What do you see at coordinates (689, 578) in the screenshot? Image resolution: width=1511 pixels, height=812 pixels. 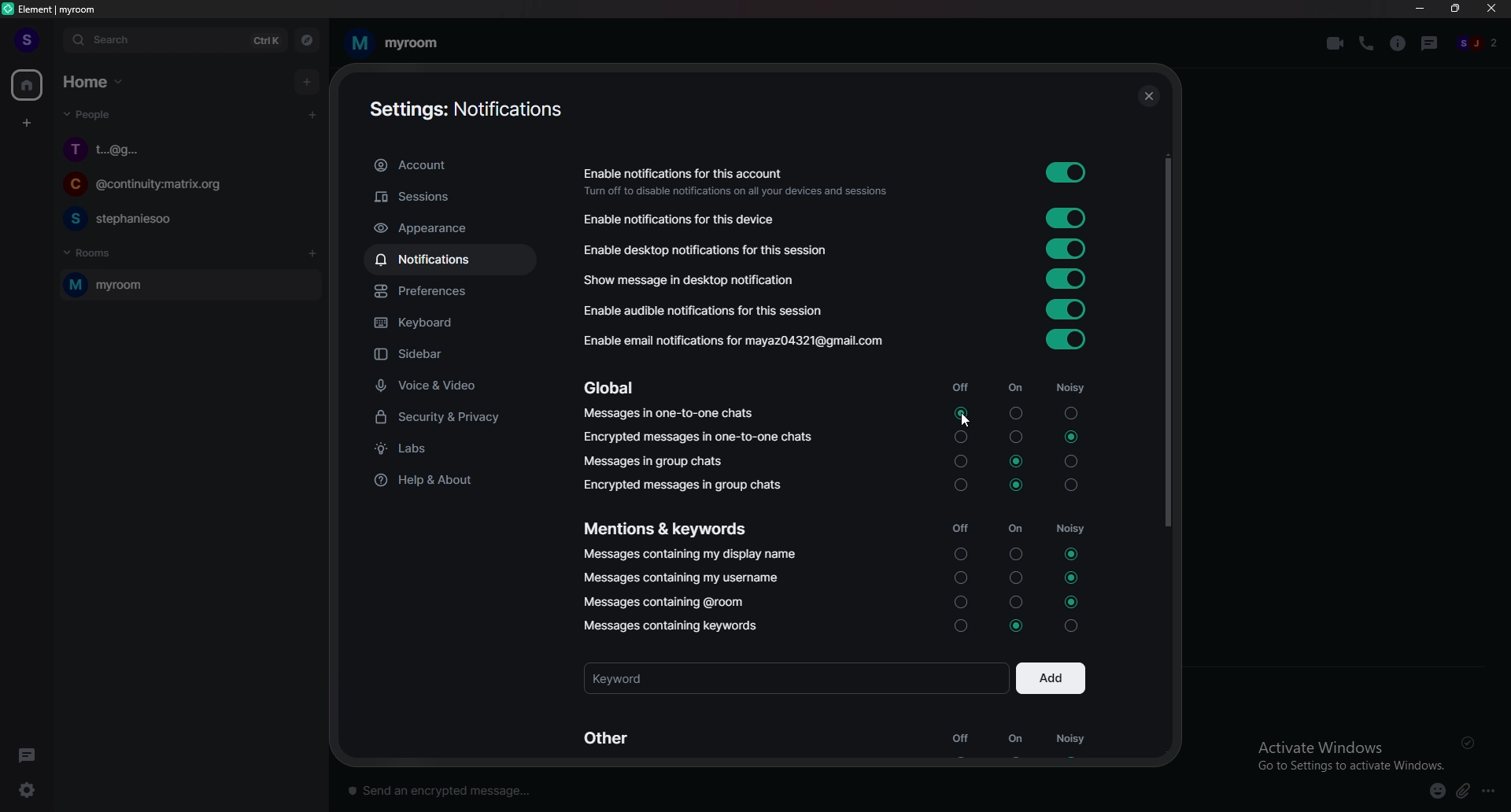 I see `Messages containing my username` at bounding box center [689, 578].